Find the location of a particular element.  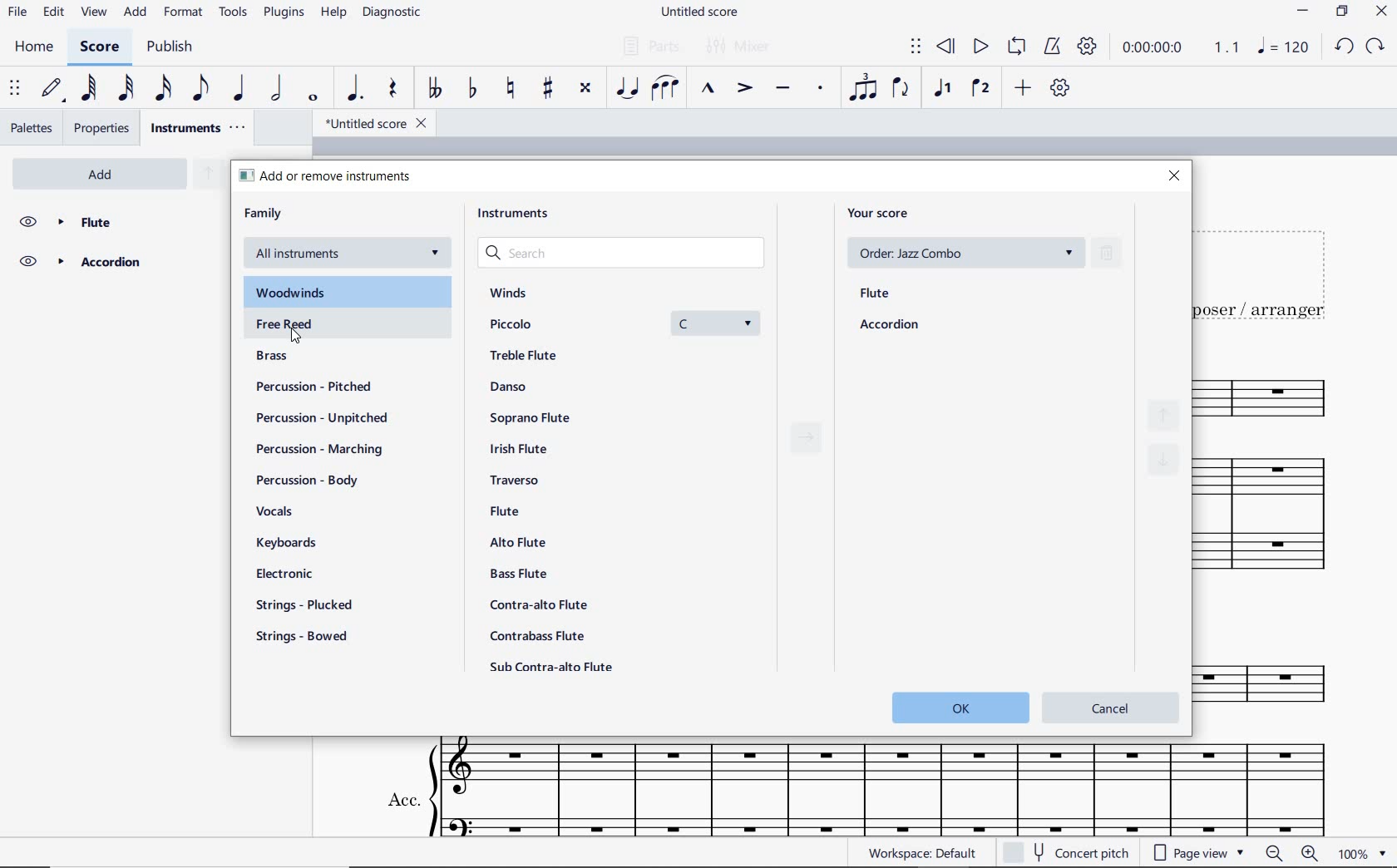

add is located at coordinates (105, 174).